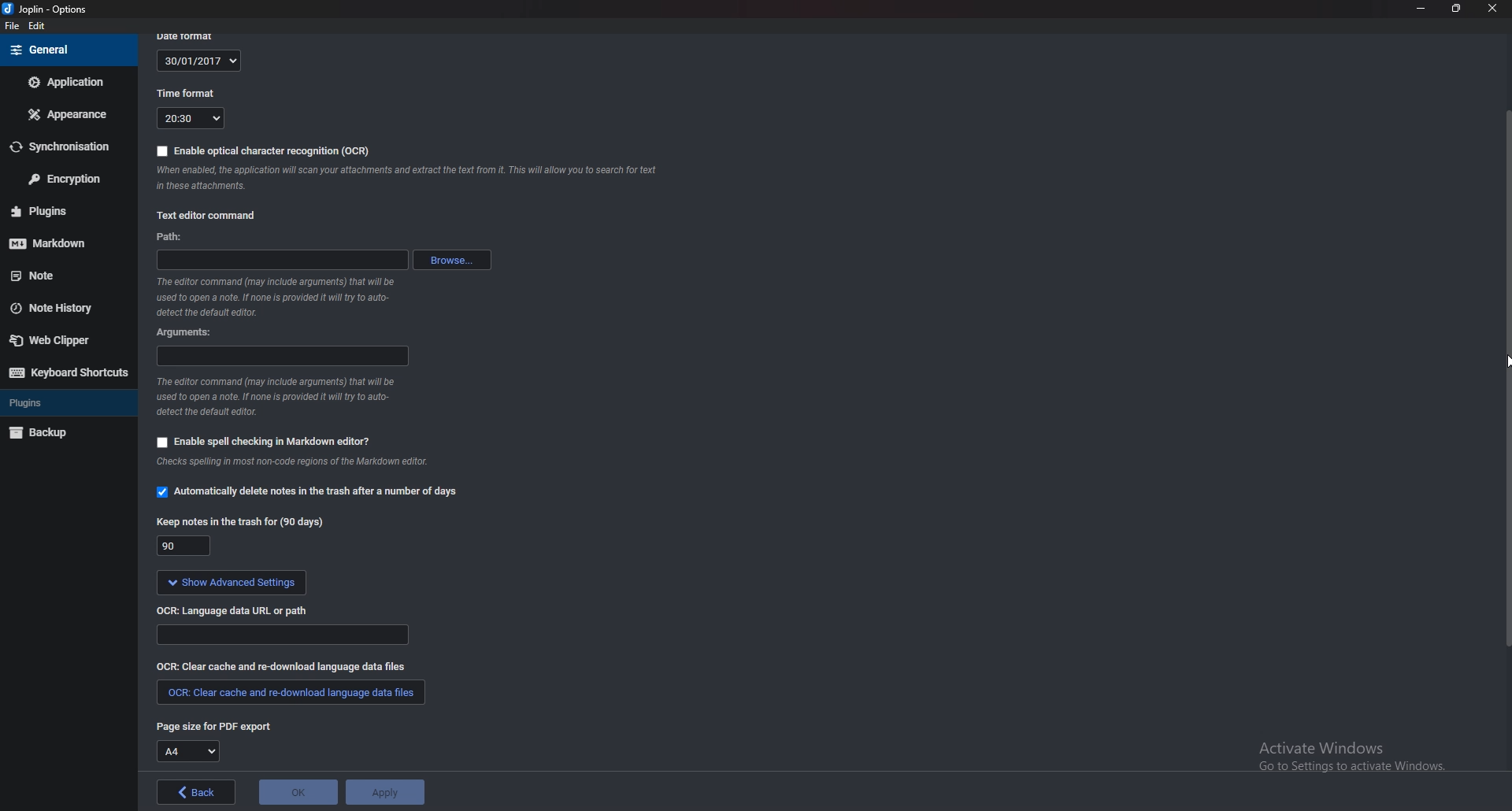 This screenshot has width=1512, height=811. What do you see at coordinates (187, 751) in the screenshot?
I see `A4` at bounding box center [187, 751].